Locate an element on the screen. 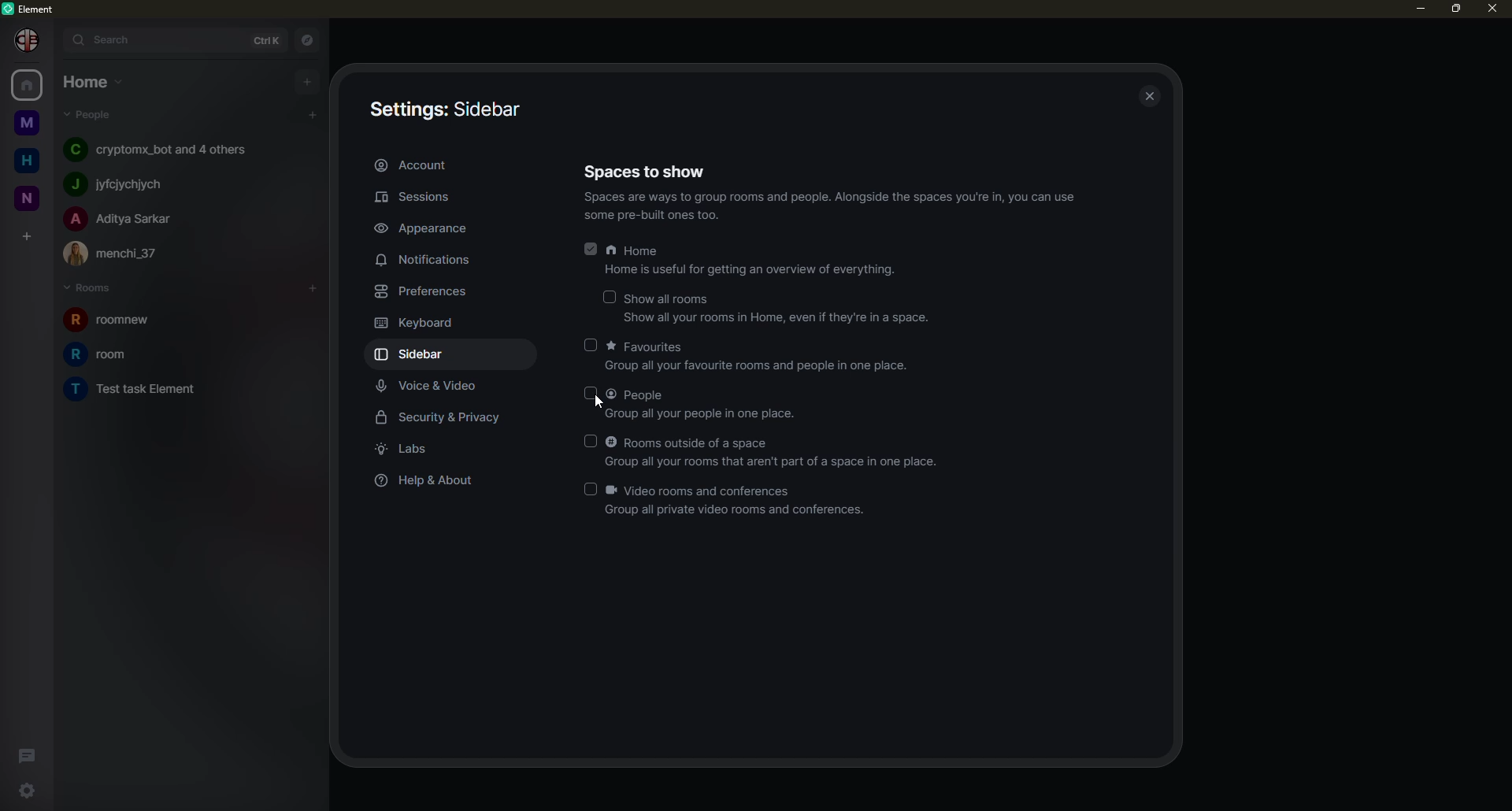  labs is located at coordinates (412, 449).